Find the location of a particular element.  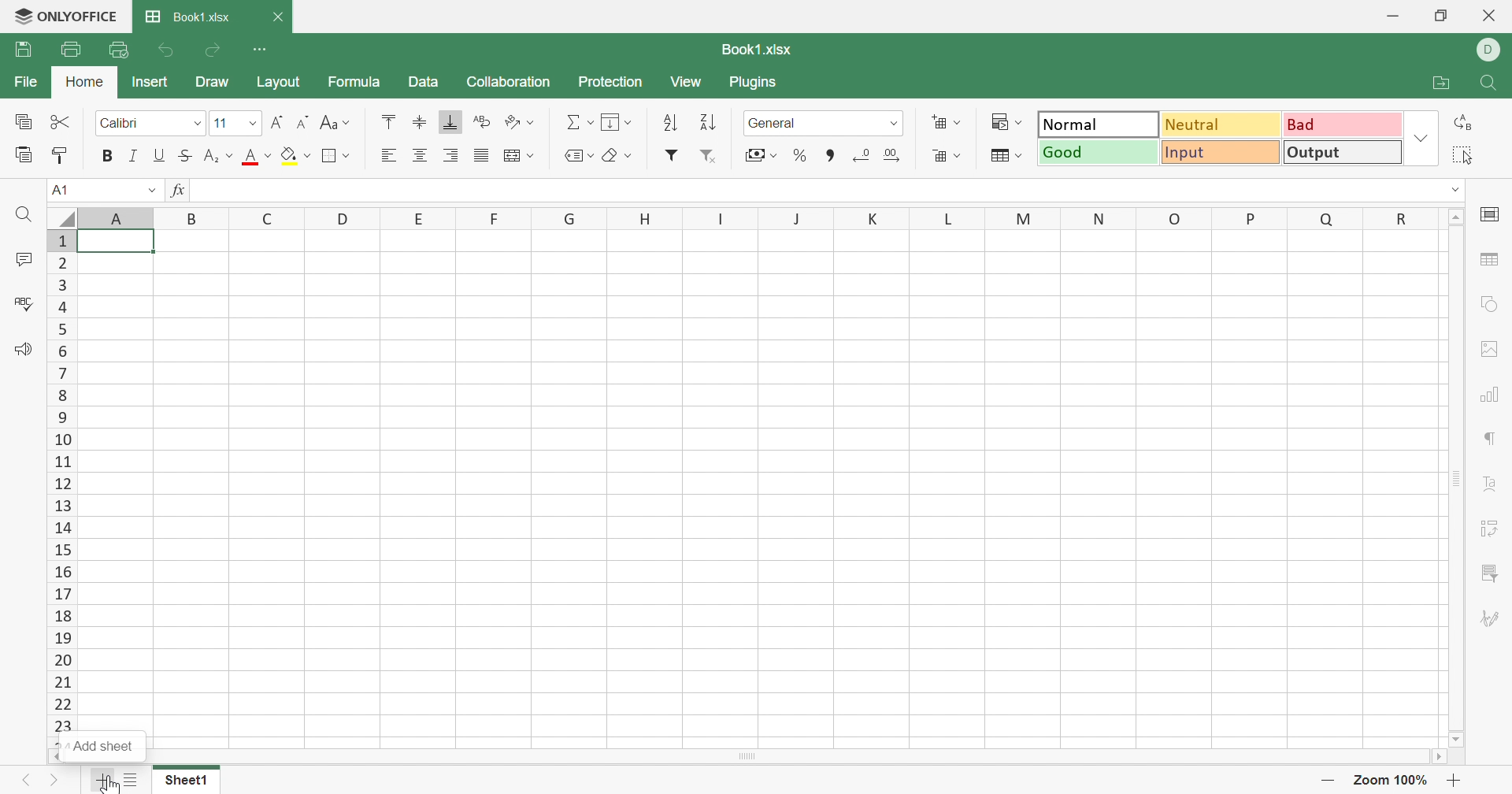

3 is located at coordinates (61, 284).